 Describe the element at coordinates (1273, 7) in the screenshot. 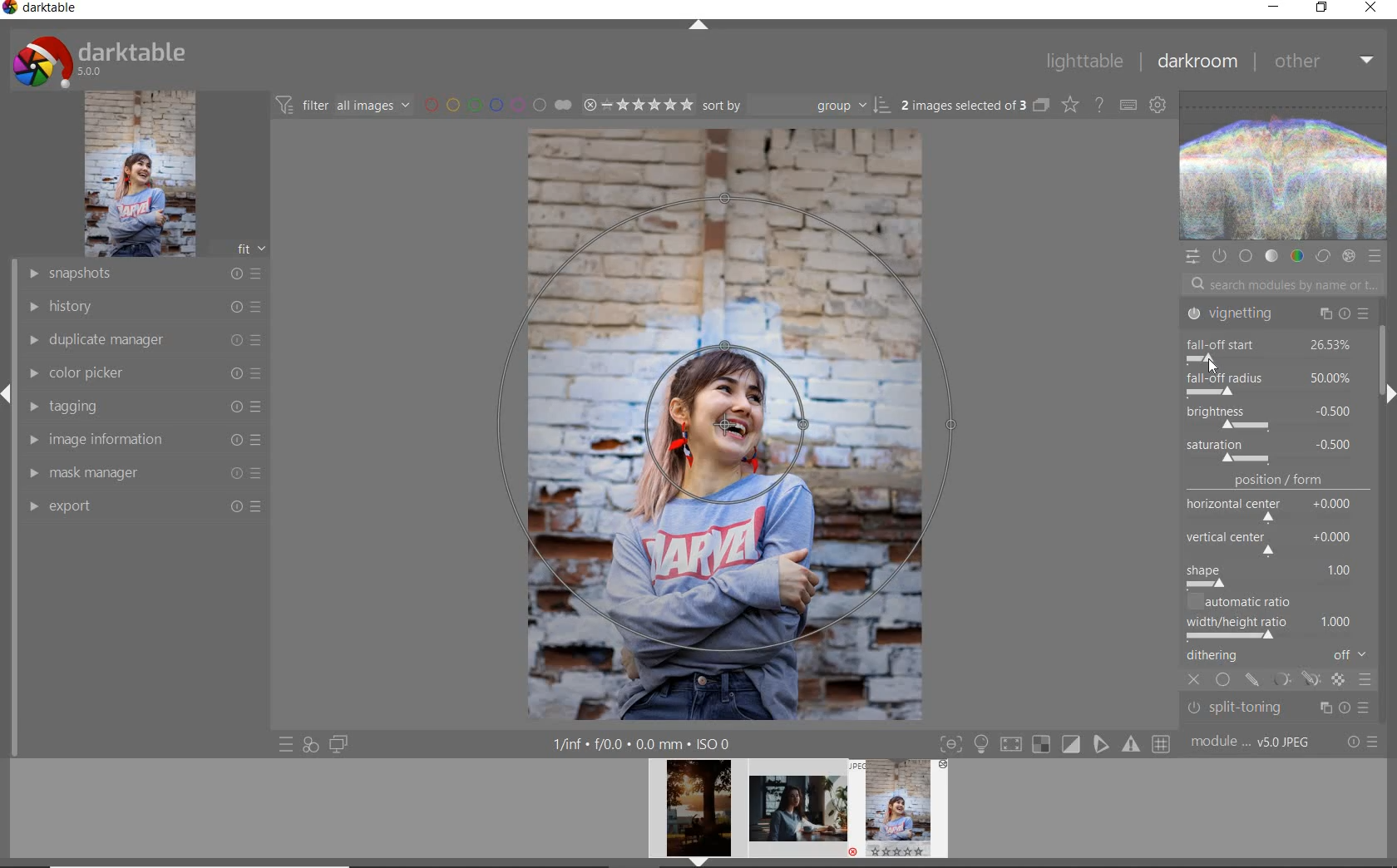

I see `MINIMIZE` at that location.